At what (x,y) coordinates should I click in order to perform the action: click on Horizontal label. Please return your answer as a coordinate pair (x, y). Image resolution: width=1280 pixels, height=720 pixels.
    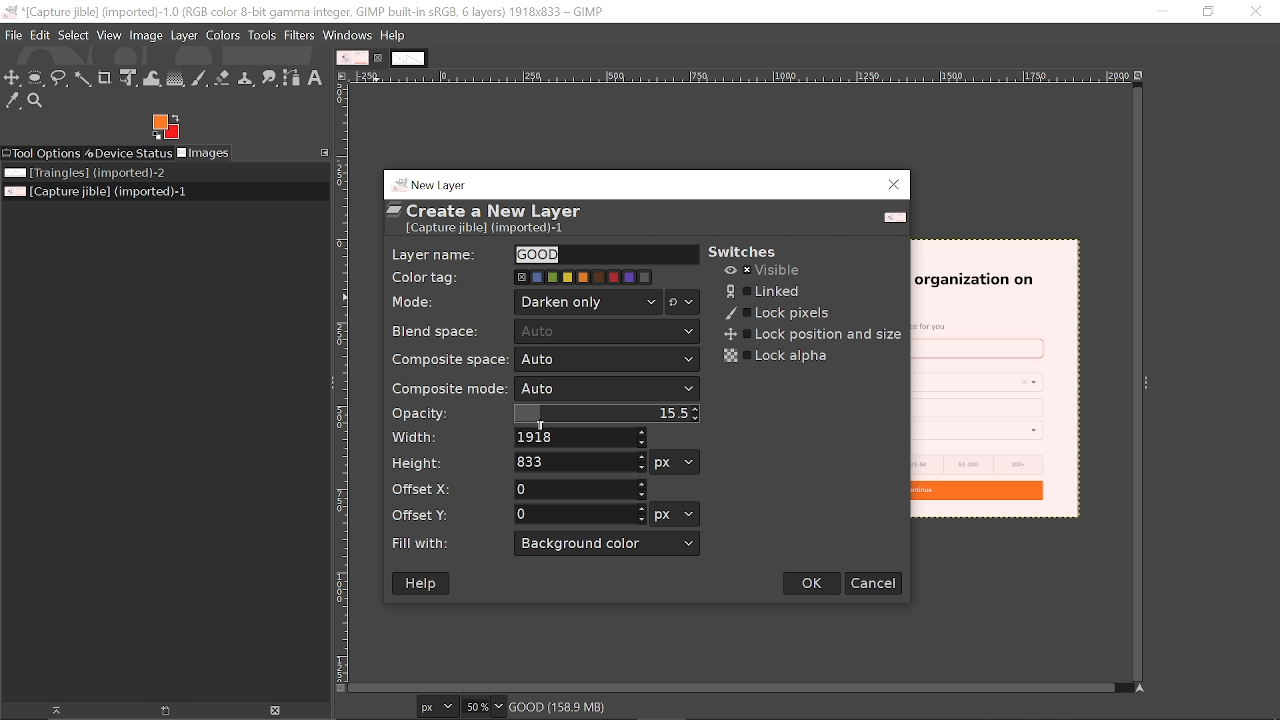
    Looking at the image, I should click on (742, 77).